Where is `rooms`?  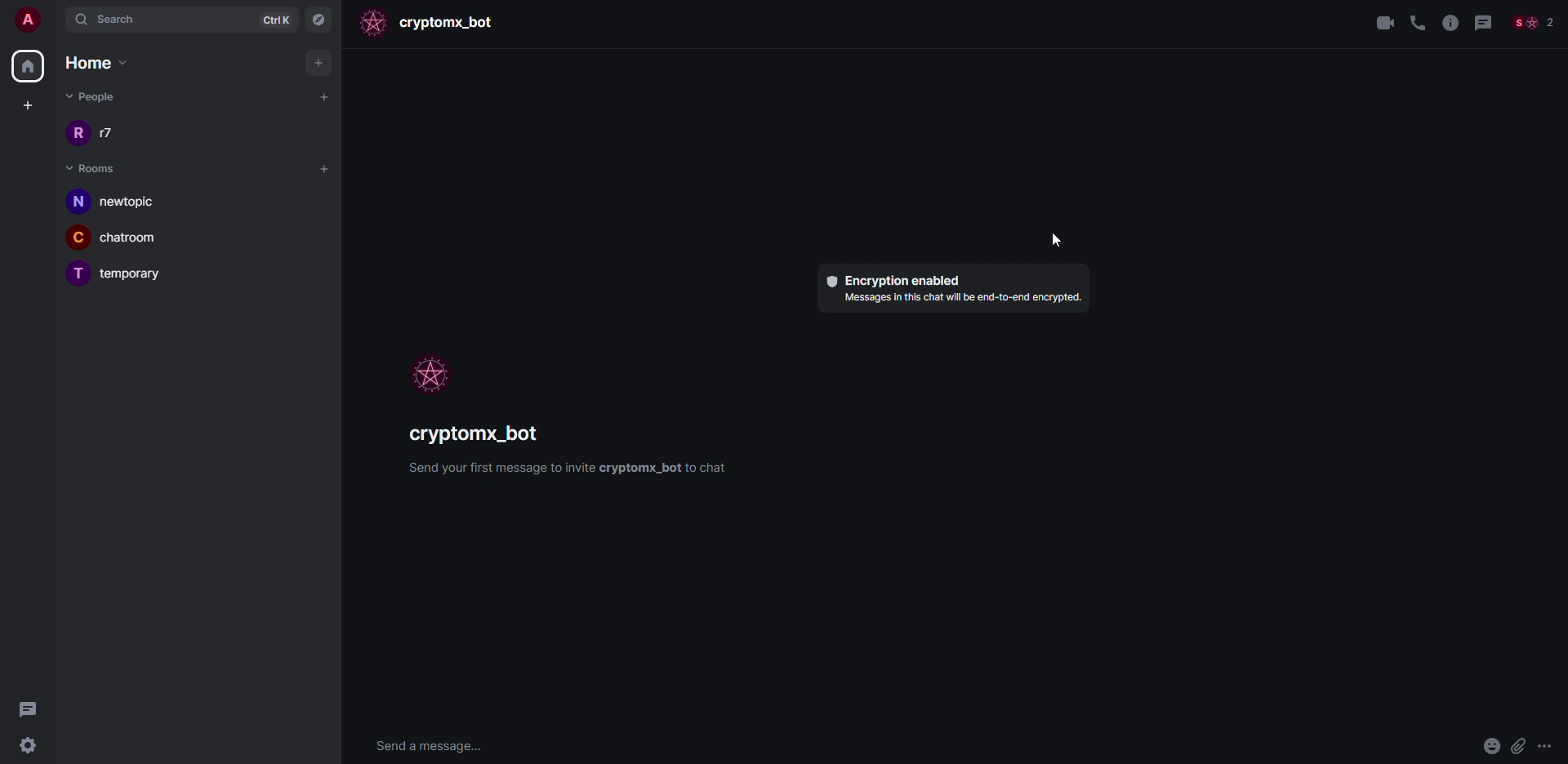 rooms is located at coordinates (91, 169).